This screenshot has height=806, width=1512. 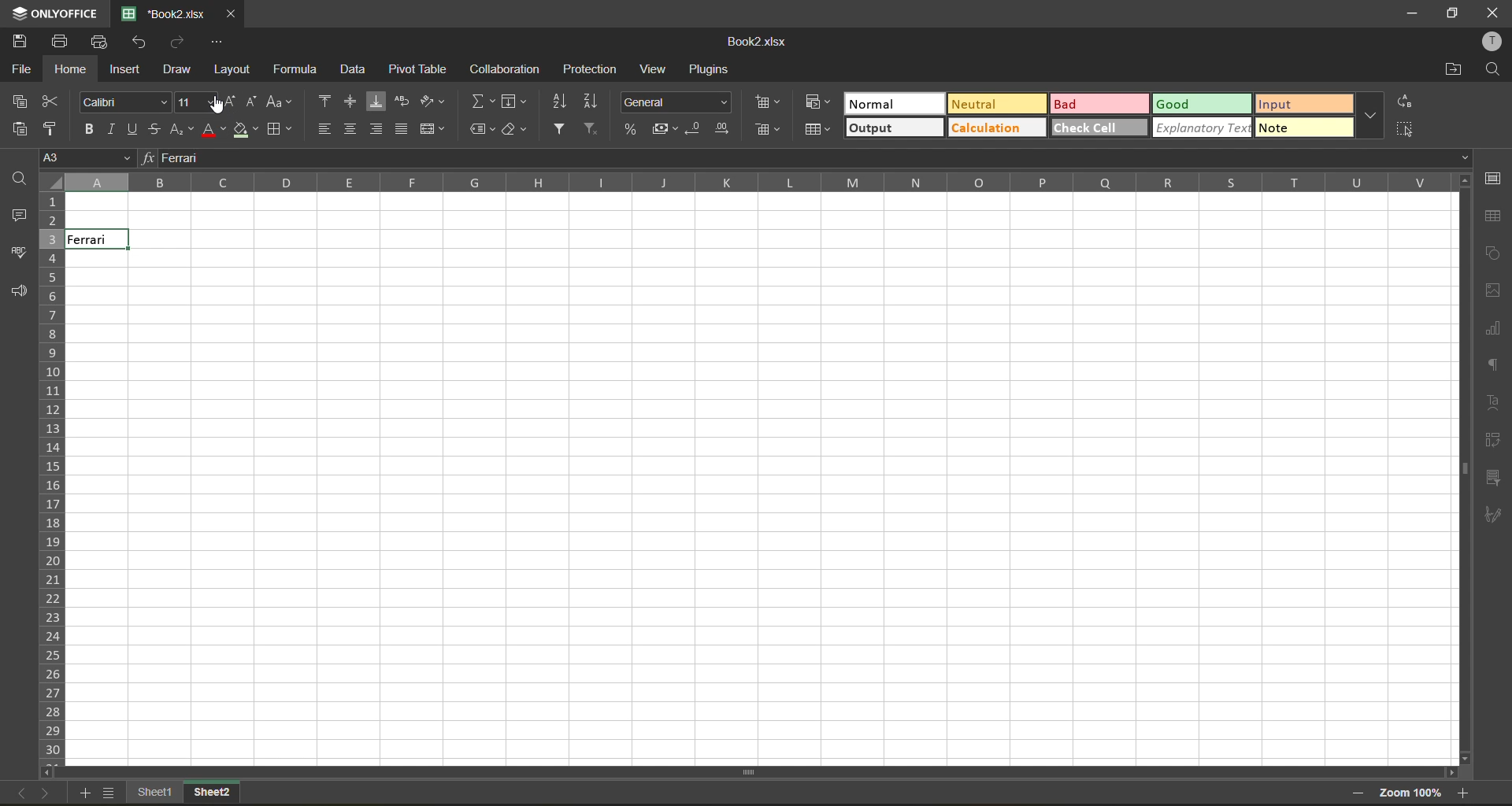 I want to click on formula bar, so click(x=809, y=158).